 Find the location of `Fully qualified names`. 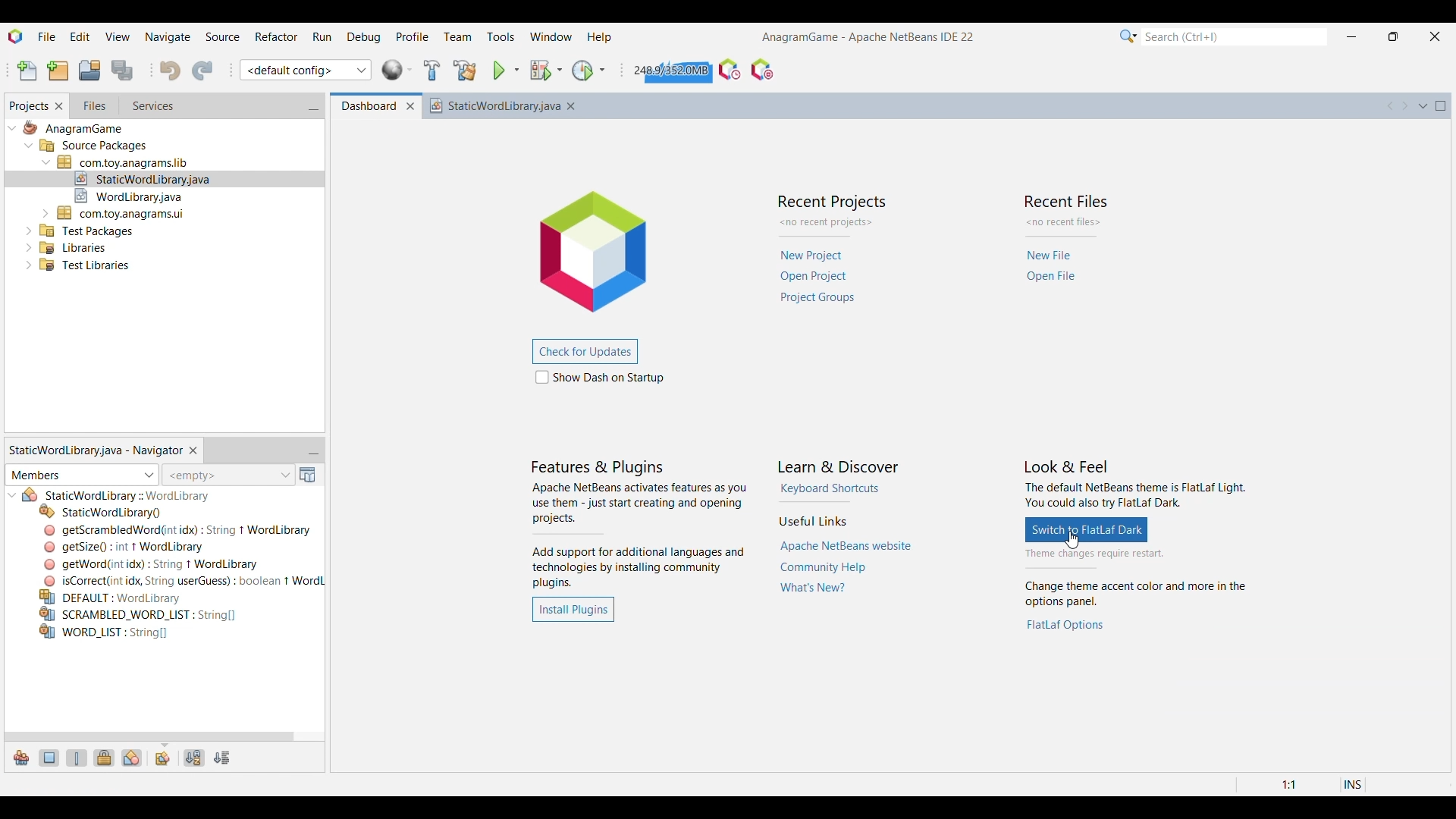

Fully qualified names is located at coordinates (163, 759).